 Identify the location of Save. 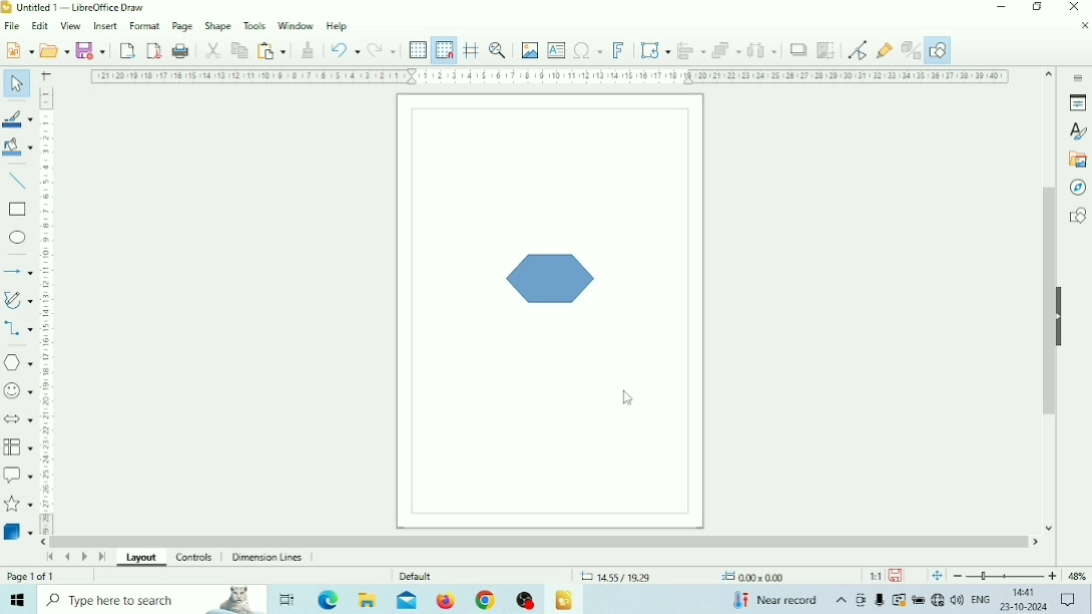
(91, 49).